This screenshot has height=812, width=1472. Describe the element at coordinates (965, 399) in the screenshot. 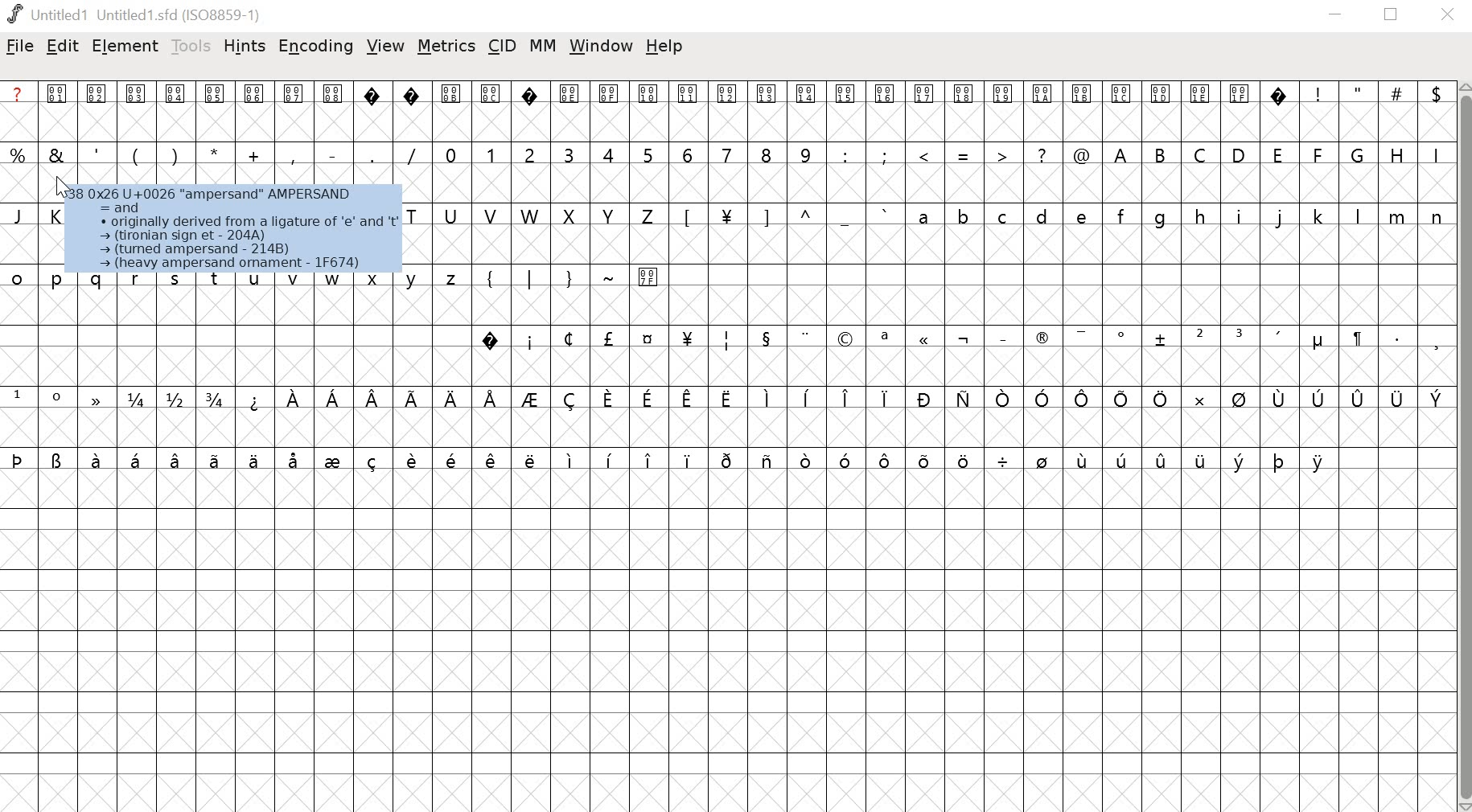

I see `symbol` at that location.